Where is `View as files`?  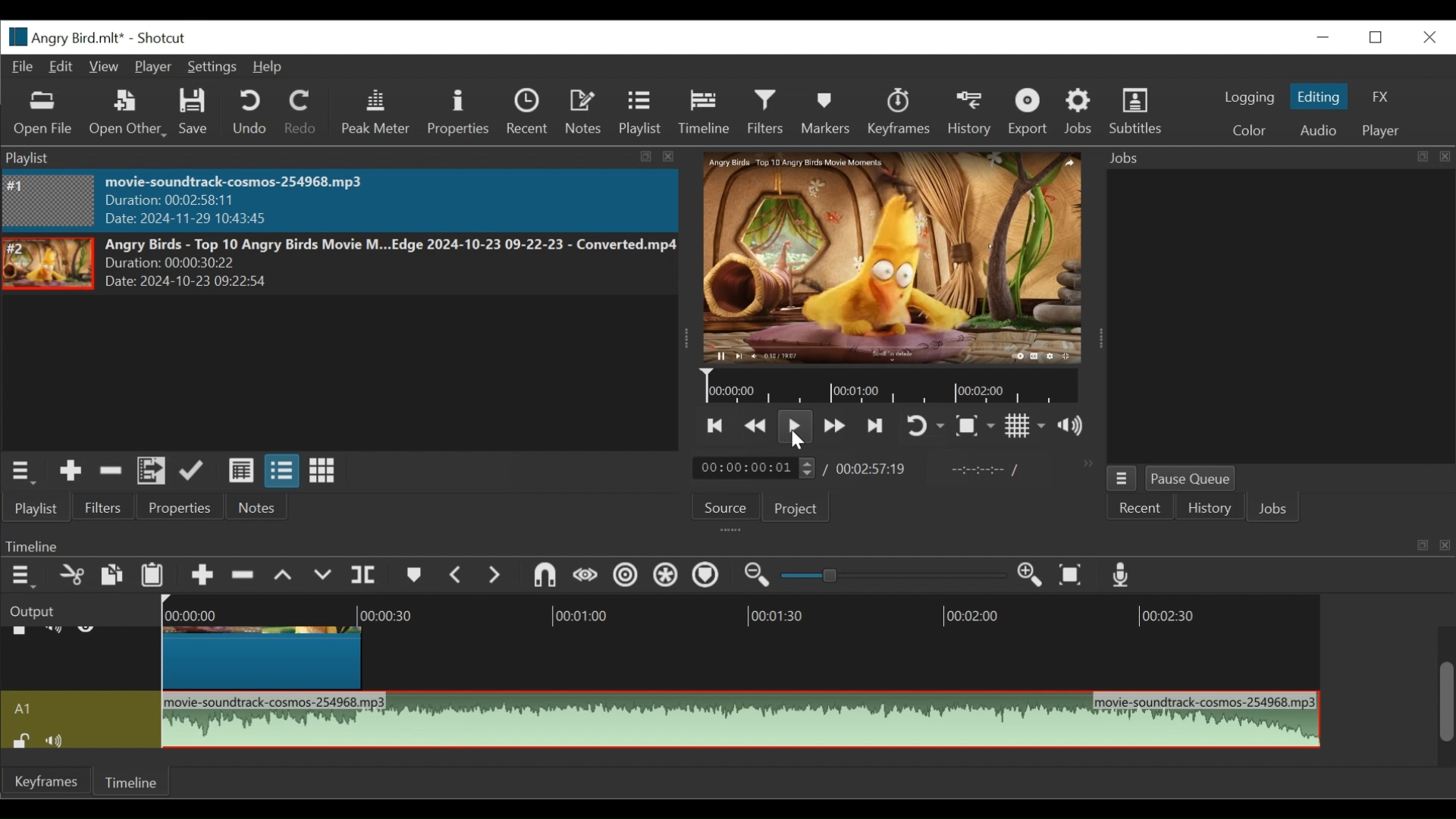 View as files is located at coordinates (281, 472).